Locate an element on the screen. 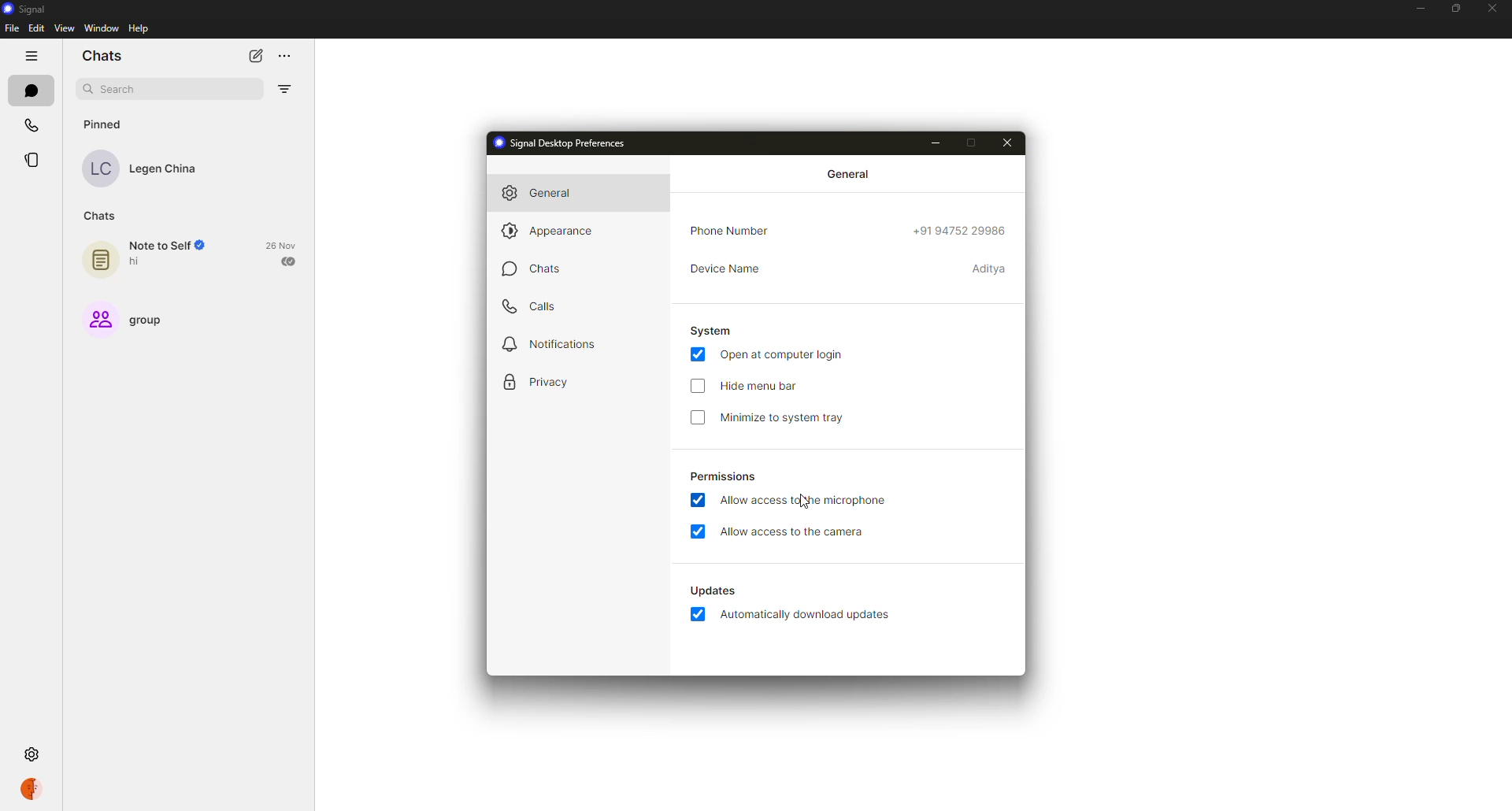 Image resolution: width=1512 pixels, height=811 pixels. settings is located at coordinates (33, 754).